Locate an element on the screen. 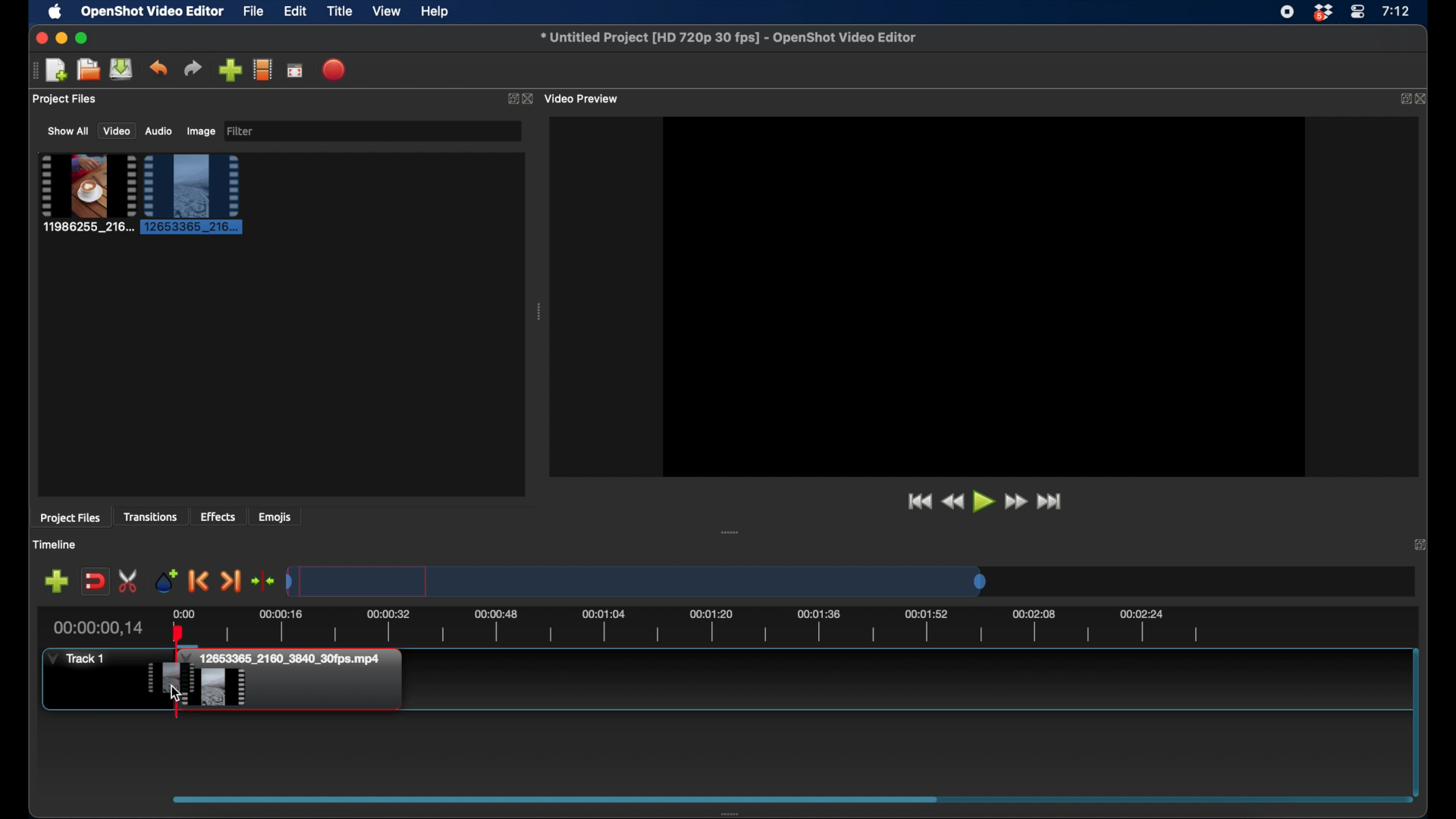 This screenshot has width=1456, height=819. next marker is located at coordinates (232, 582).